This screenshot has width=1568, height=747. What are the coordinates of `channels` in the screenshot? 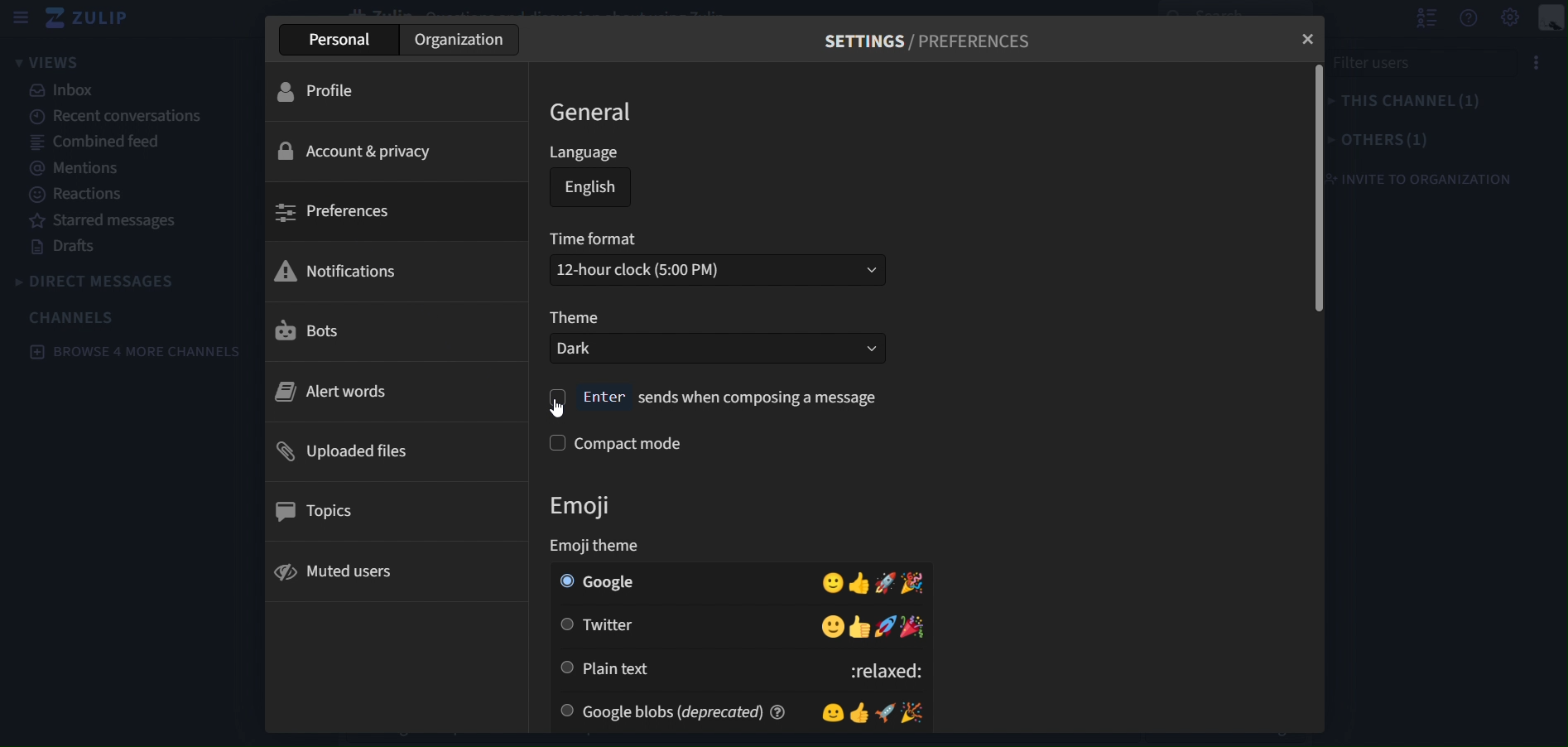 It's located at (75, 317).